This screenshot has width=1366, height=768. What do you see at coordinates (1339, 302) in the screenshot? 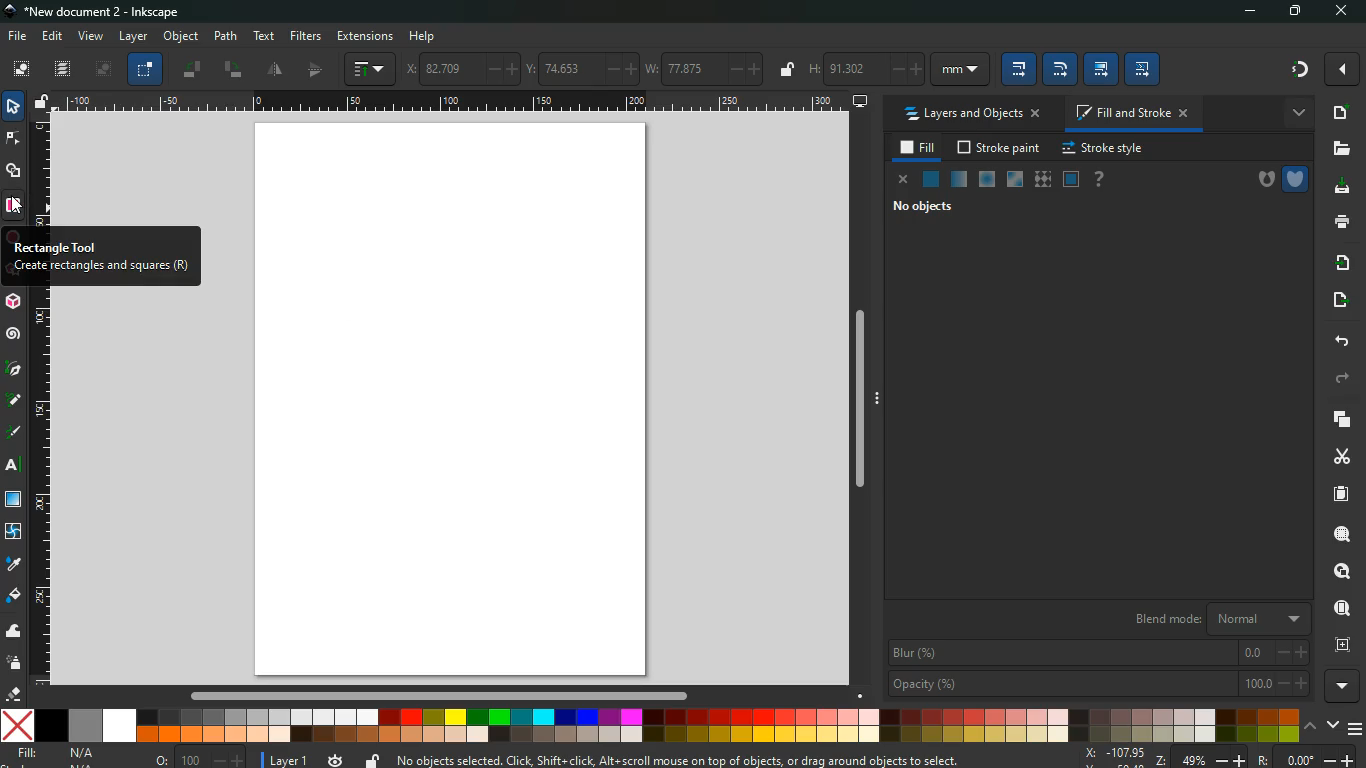
I see `send` at bounding box center [1339, 302].